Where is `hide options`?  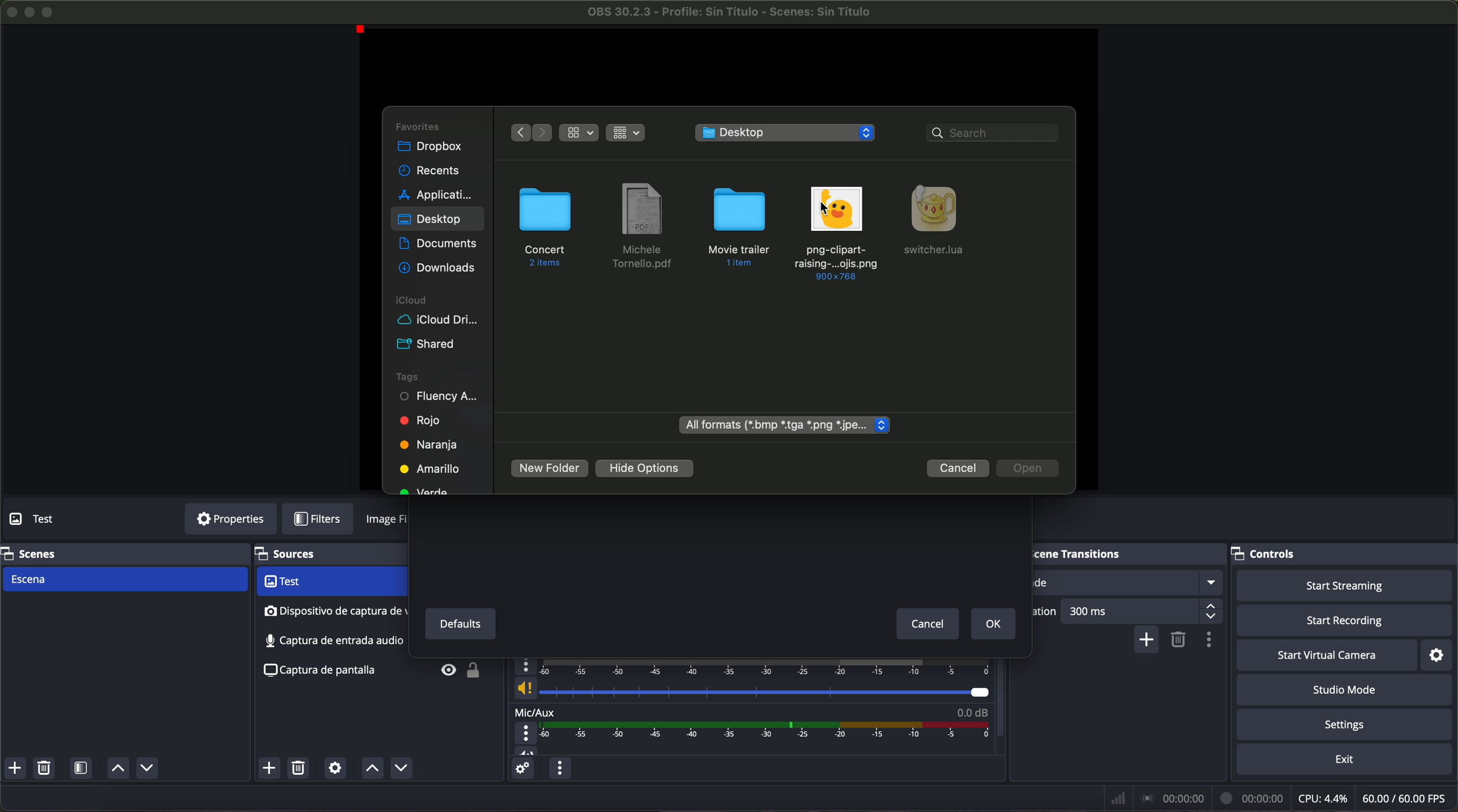
hide options is located at coordinates (644, 469).